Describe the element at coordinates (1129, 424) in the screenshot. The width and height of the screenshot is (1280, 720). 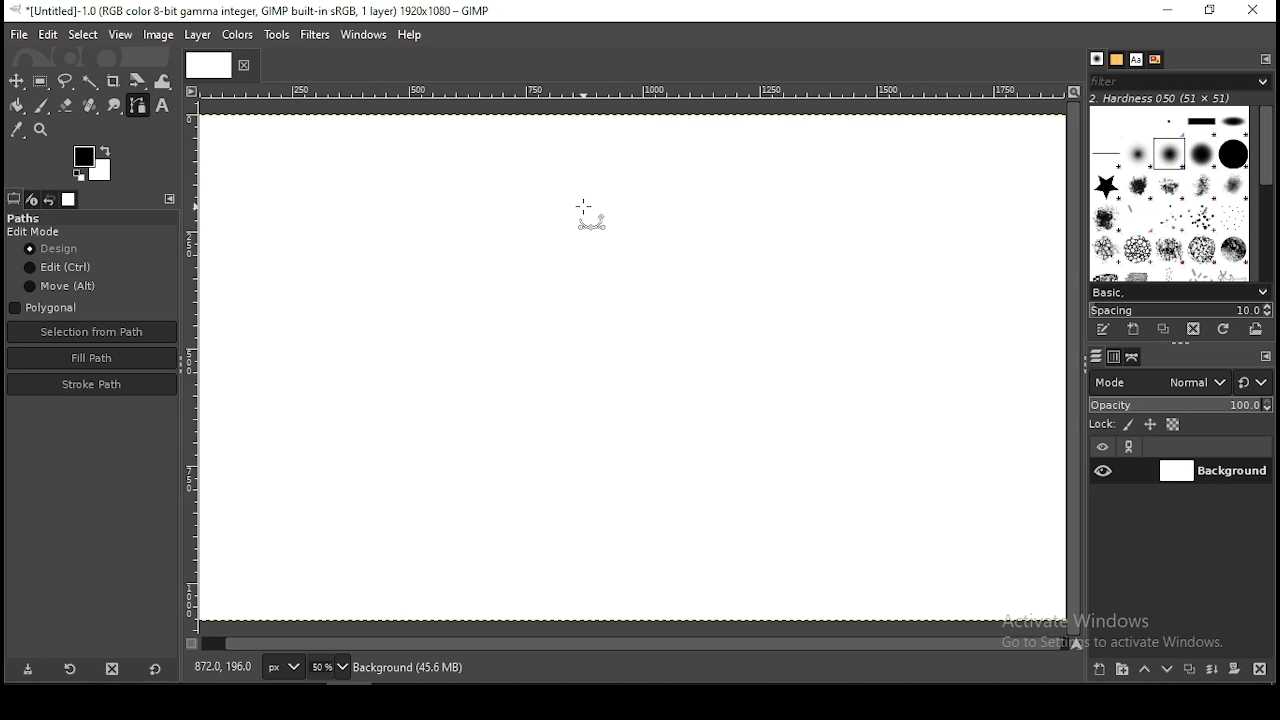
I see `lock pixels` at that location.